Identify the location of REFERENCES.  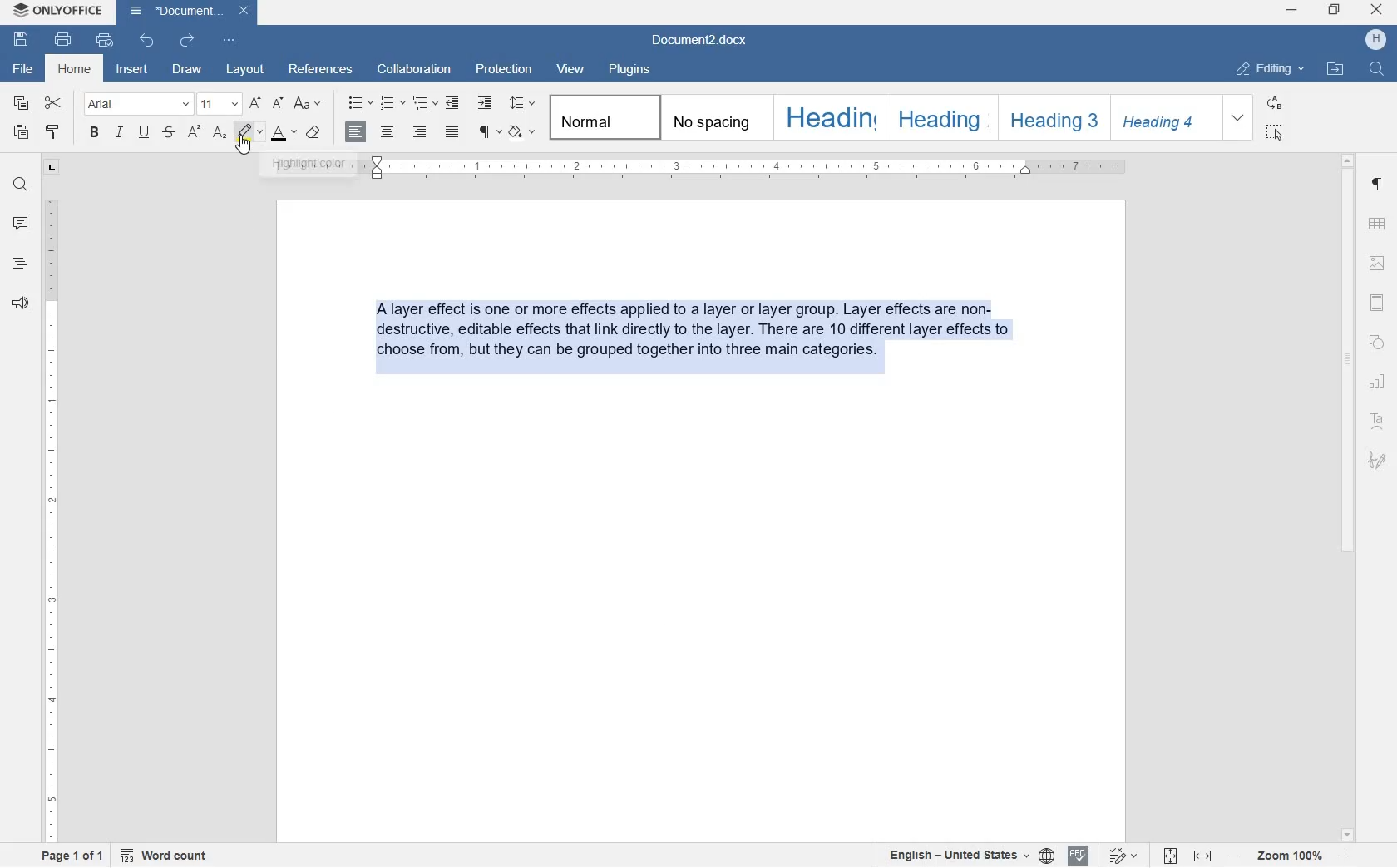
(318, 68).